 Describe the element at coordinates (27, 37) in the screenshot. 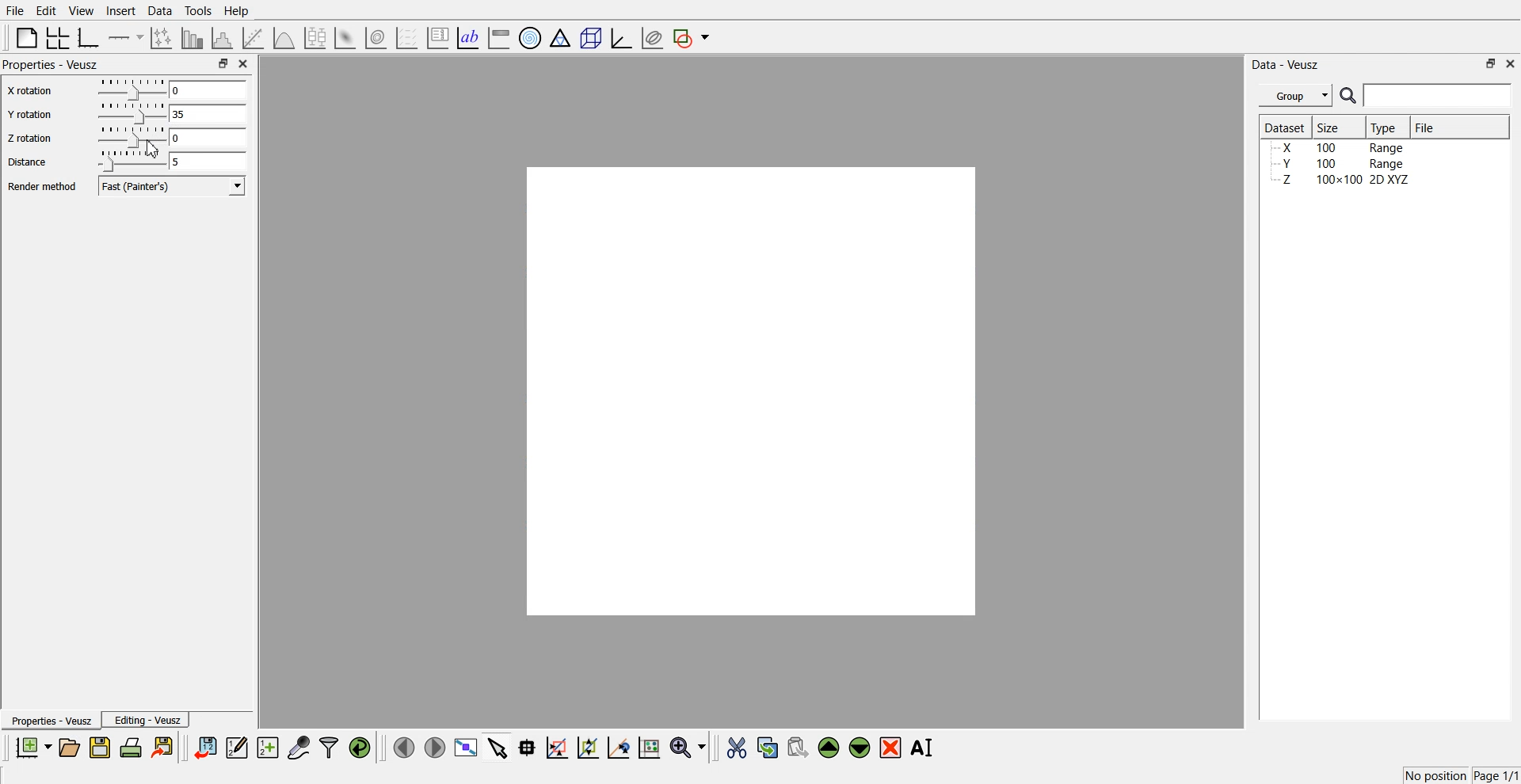

I see `Blank page` at that location.